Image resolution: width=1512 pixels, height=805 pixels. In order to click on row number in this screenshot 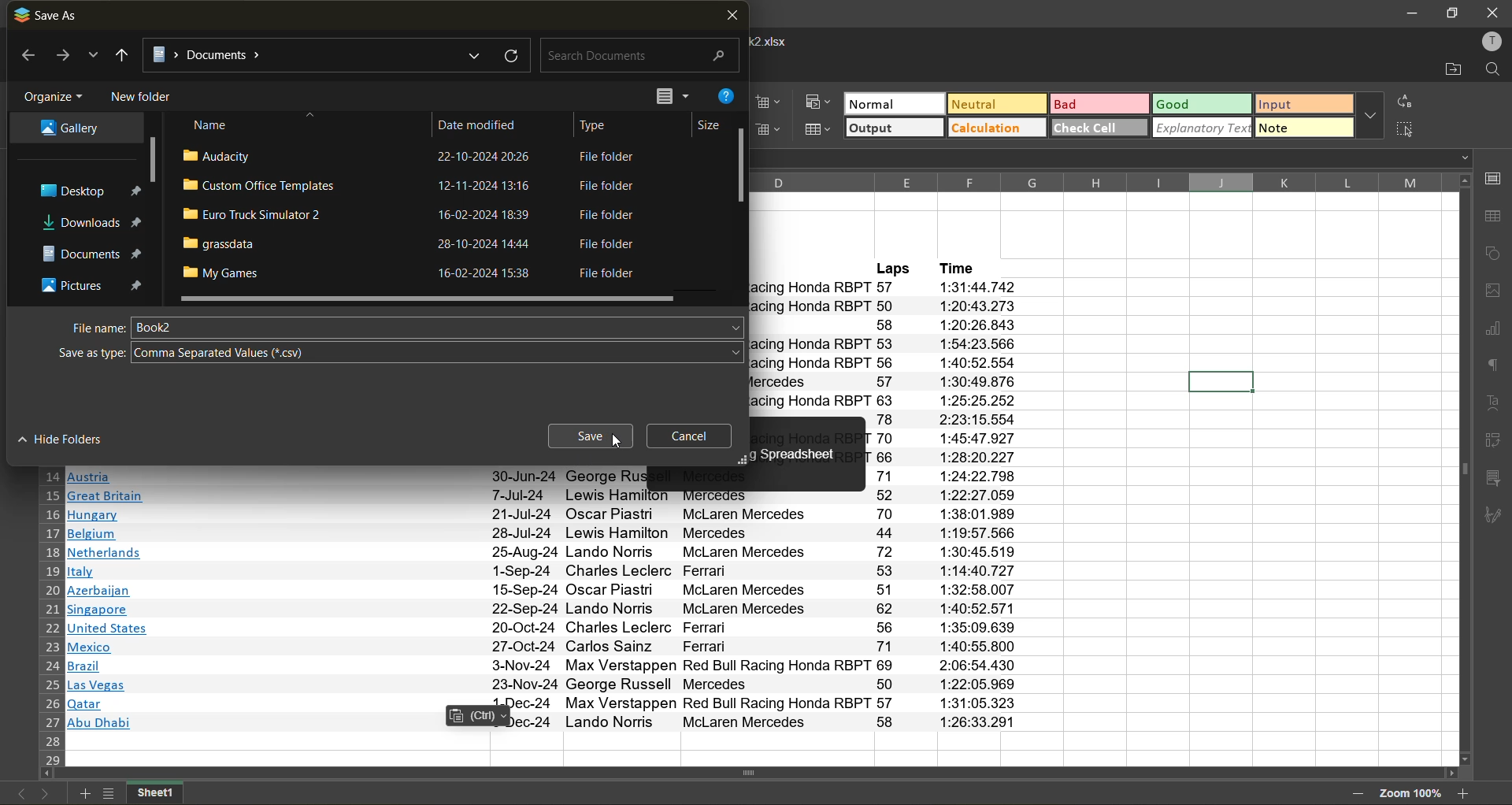, I will do `click(50, 617)`.